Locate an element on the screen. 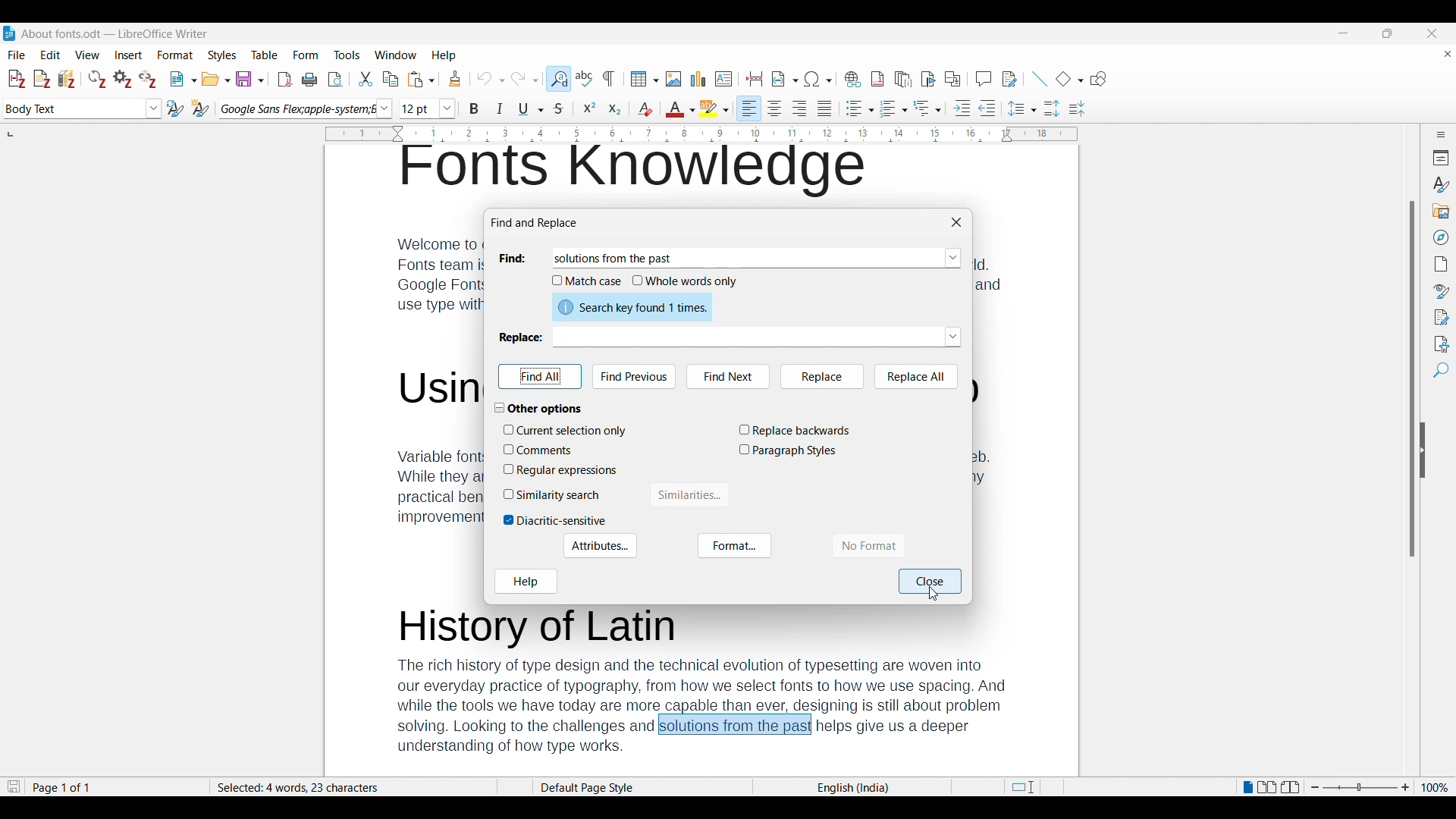  Toggle for match case is located at coordinates (587, 281).